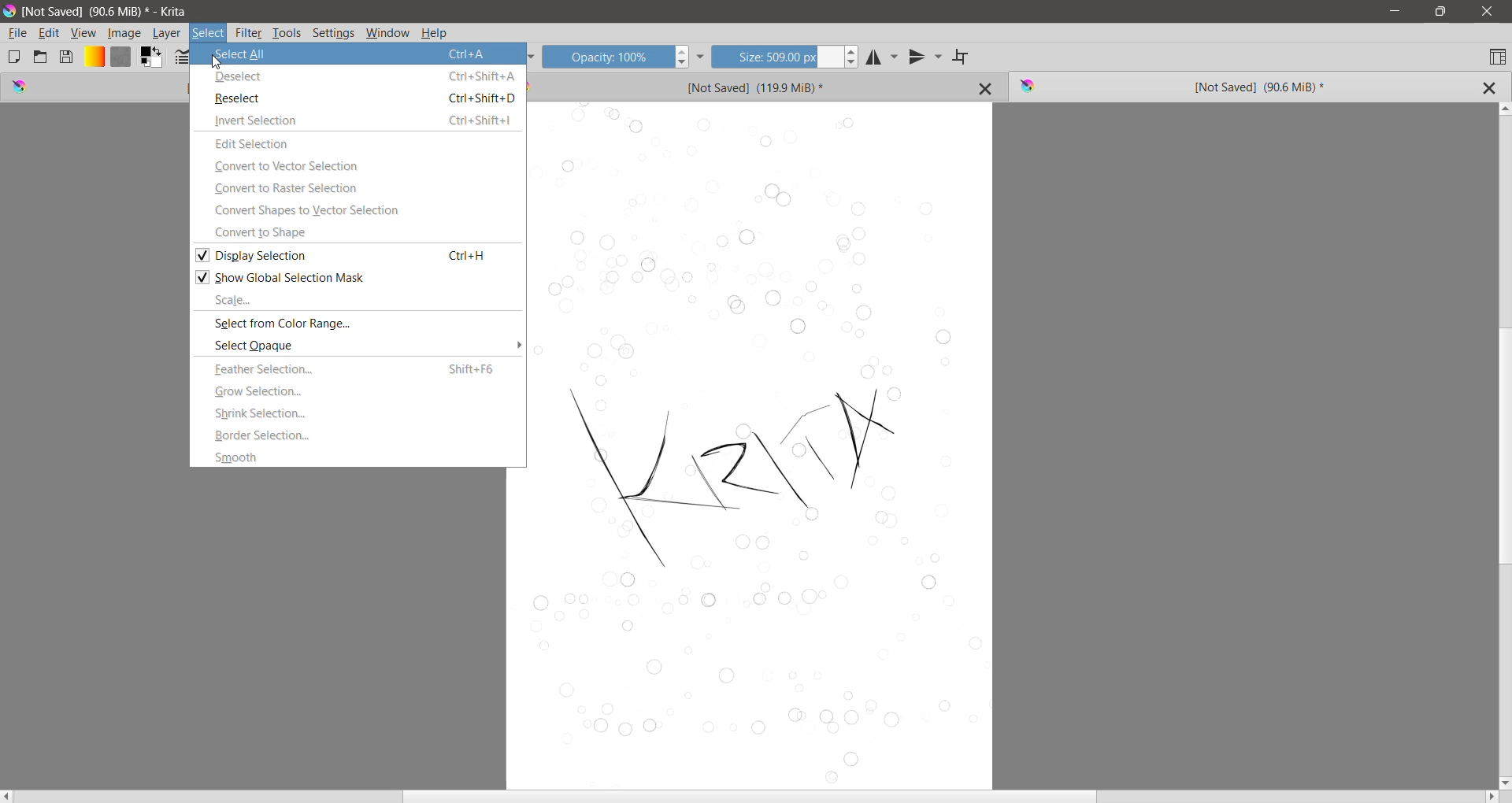 This screenshot has width=1512, height=803. What do you see at coordinates (986, 88) in the screenshot?
I see `Close Tab` at bounding box center [986, 88].